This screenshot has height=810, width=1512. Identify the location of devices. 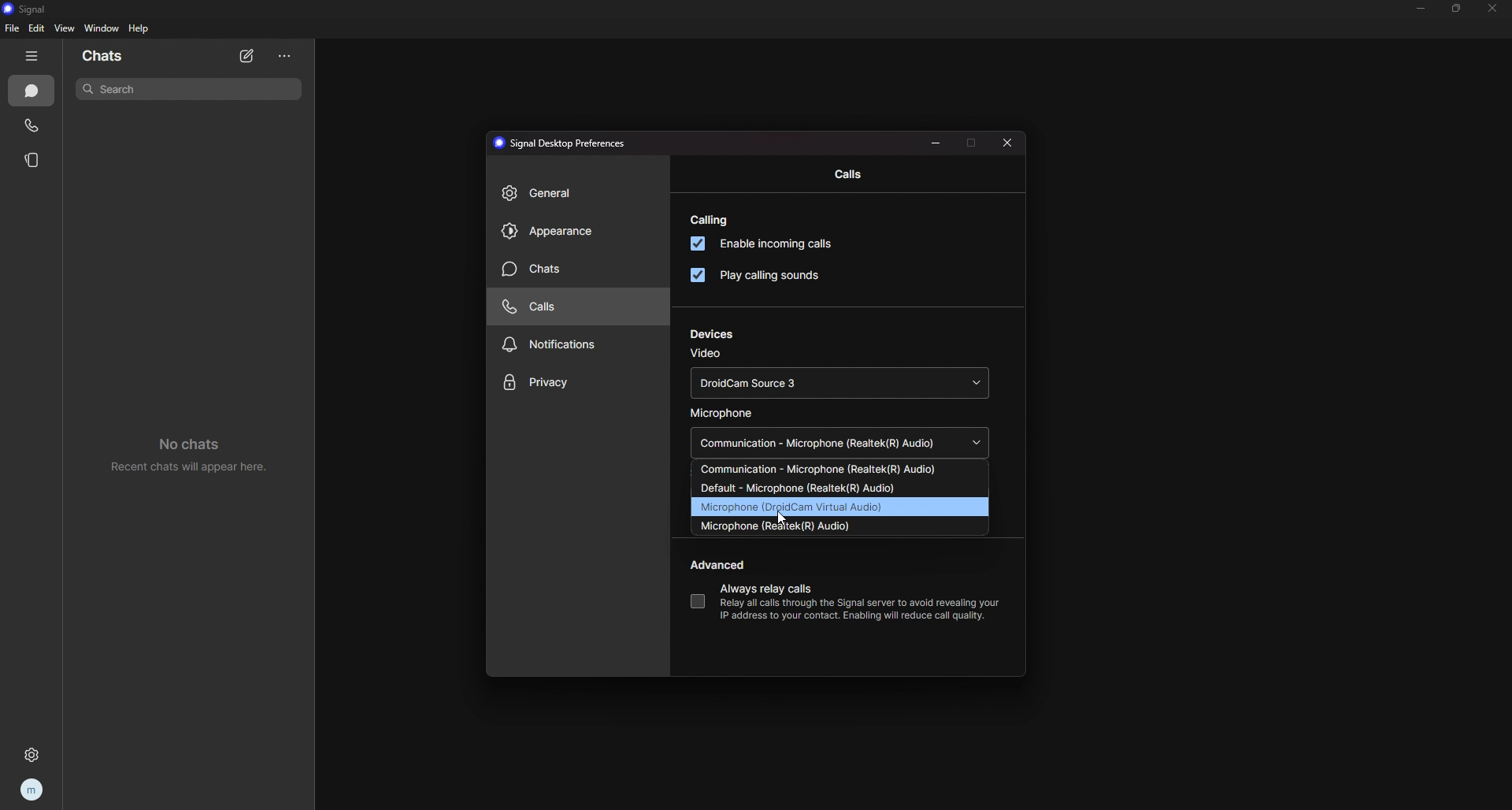
(714, 334).